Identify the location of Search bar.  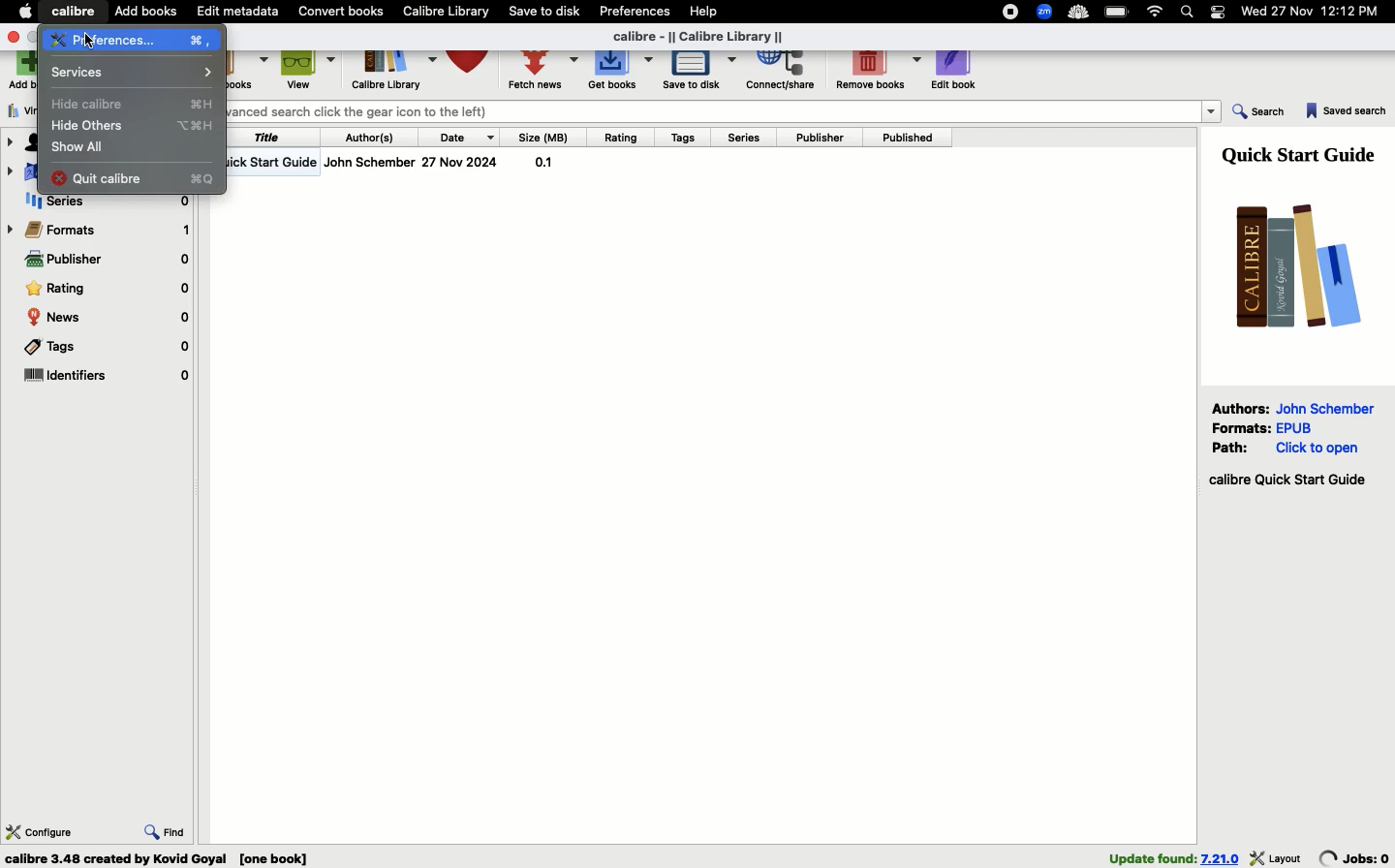
(1189, 13).